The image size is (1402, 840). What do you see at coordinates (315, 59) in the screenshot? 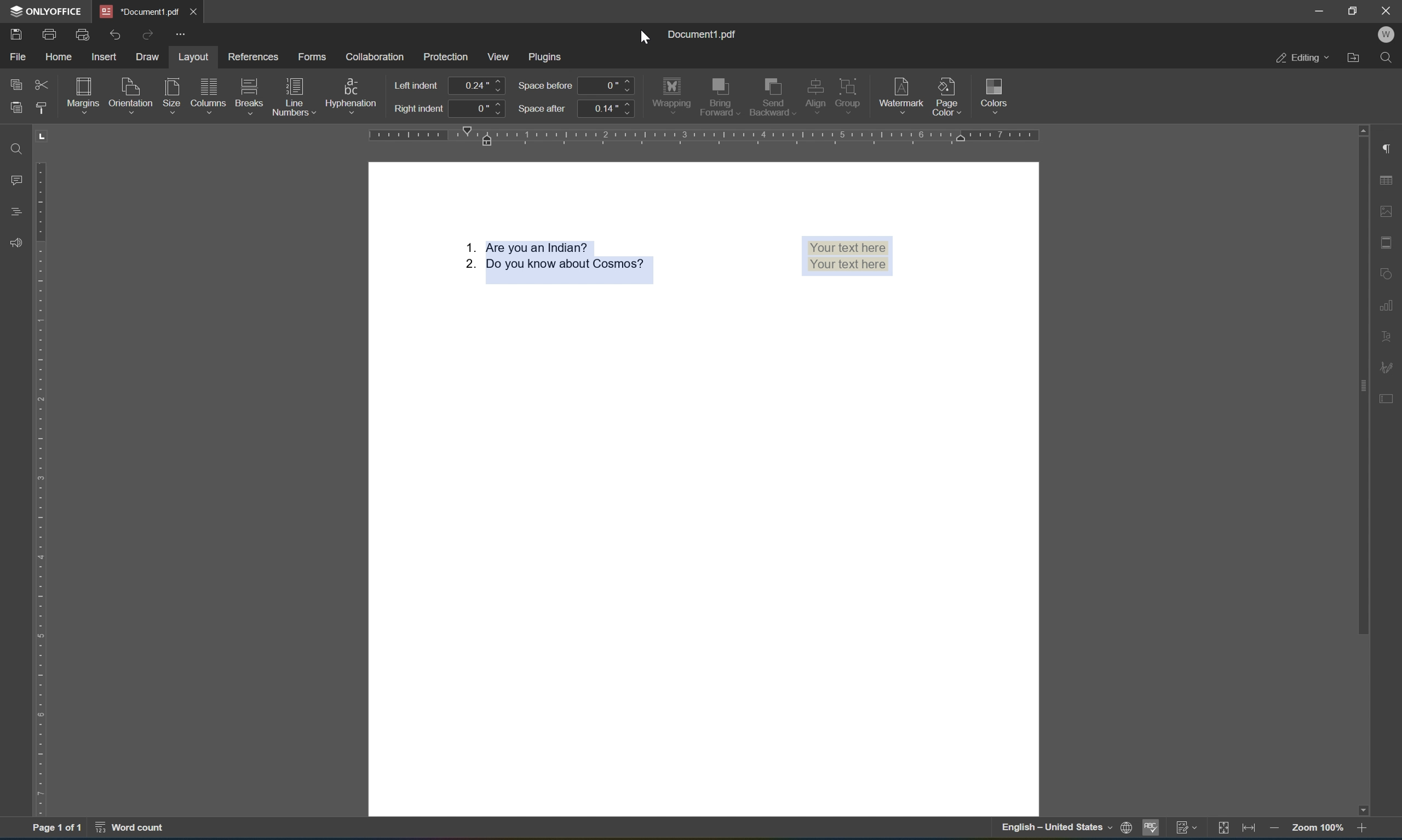
I see `forms` at bounding box center [315, 59].